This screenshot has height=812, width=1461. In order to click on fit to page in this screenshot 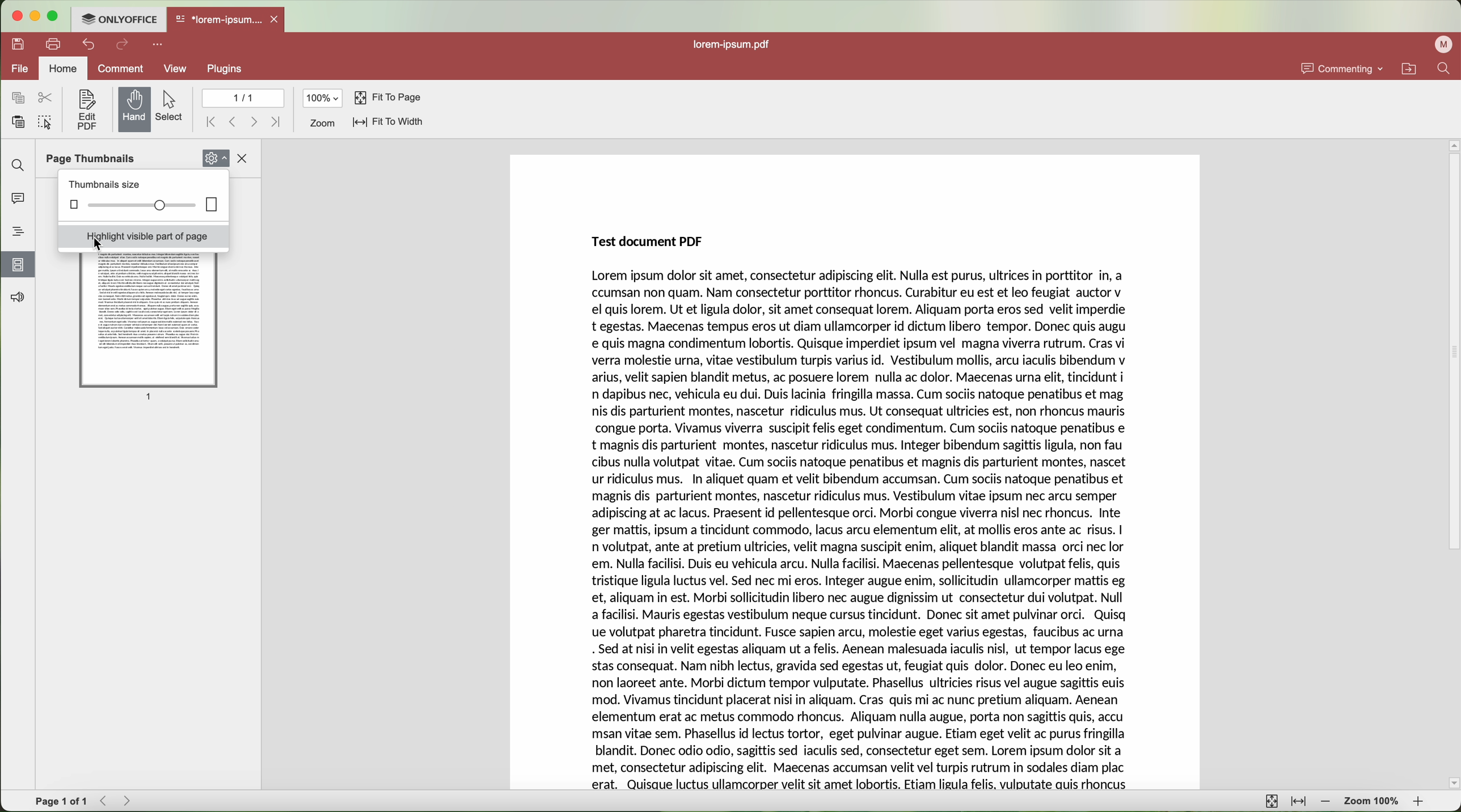, I will do `click(388, 98)`.